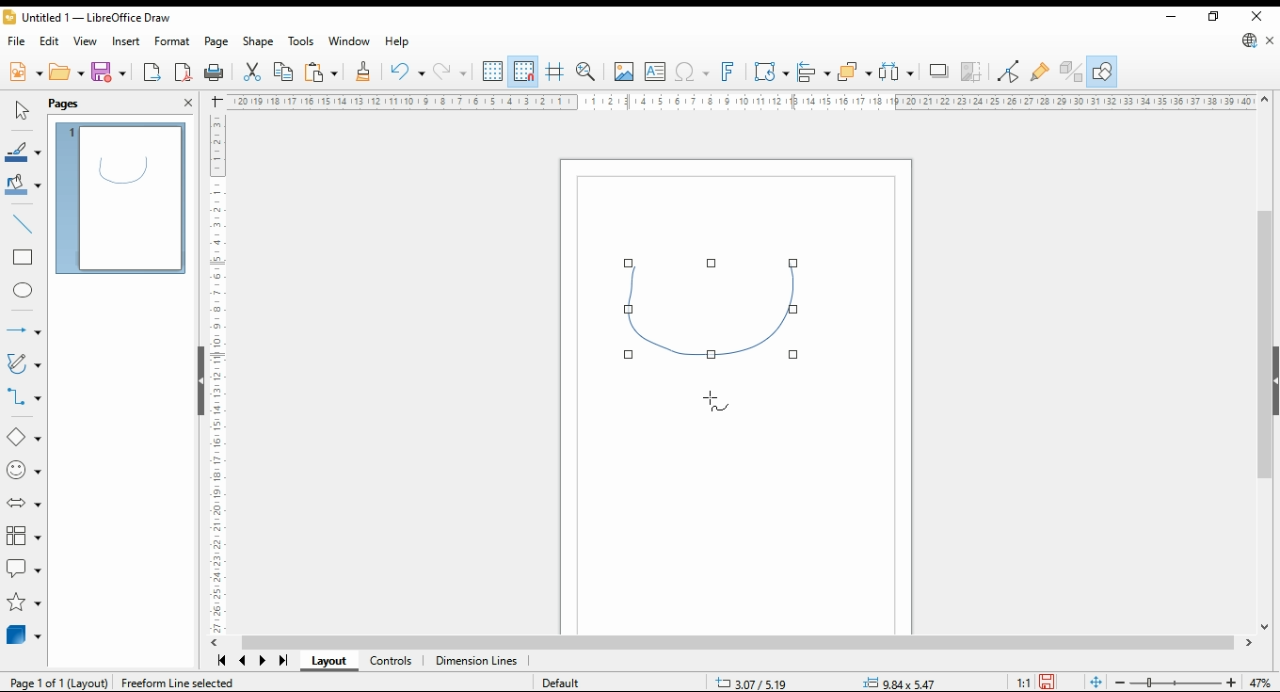 The width and height of the screenshot is (1280, 692). What do you see at coordinates (1215, 16) in the screenshot?
I see `restore` at bounding box center [1215, 16].